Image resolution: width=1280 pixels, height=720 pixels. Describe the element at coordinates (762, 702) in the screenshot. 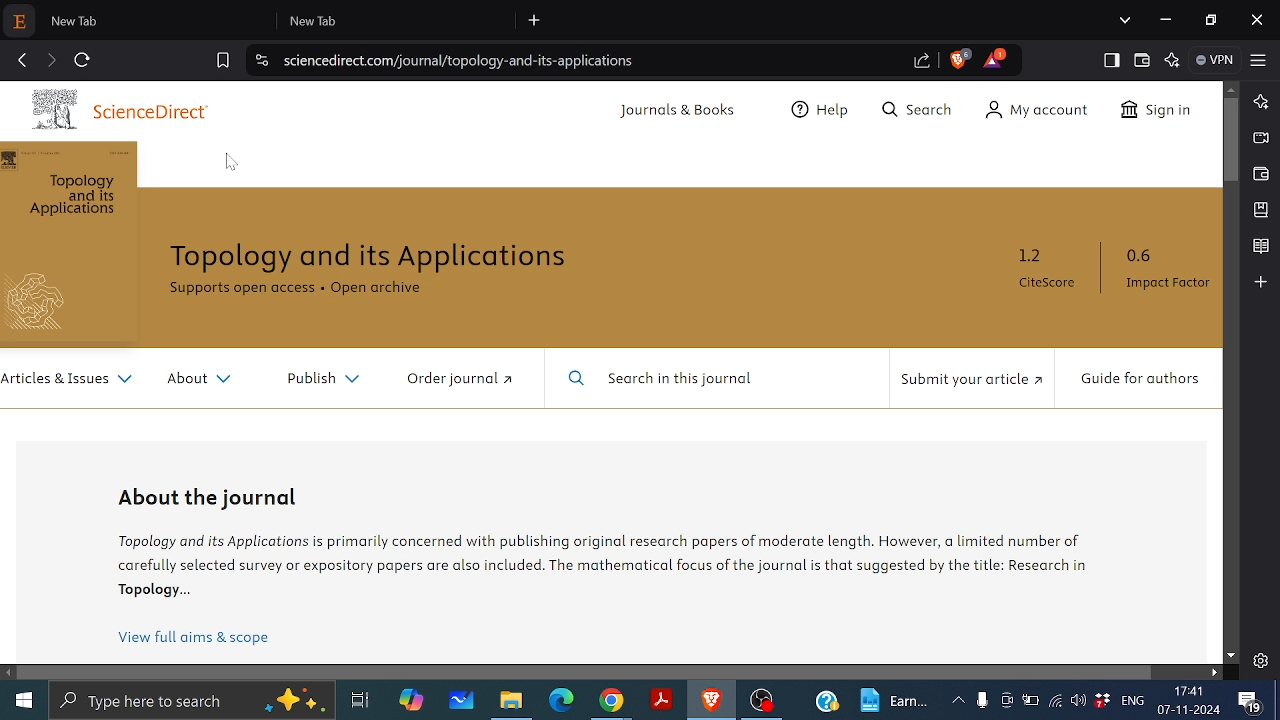

I see `OBS studio` at that location.